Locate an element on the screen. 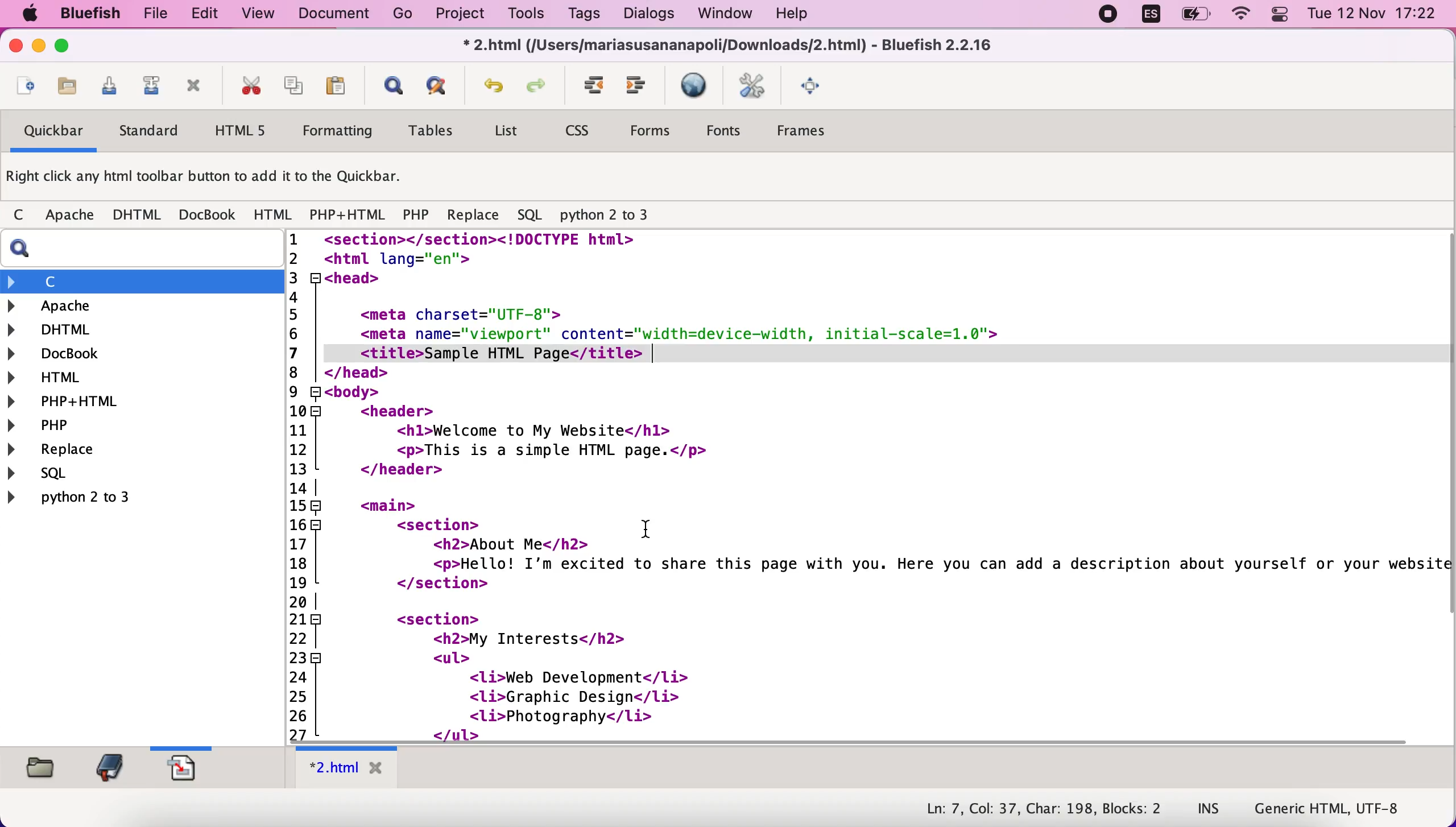 Image resolution: width=1456 pixels, height=827 pixels. maximize is located at coordinates (70, 48).